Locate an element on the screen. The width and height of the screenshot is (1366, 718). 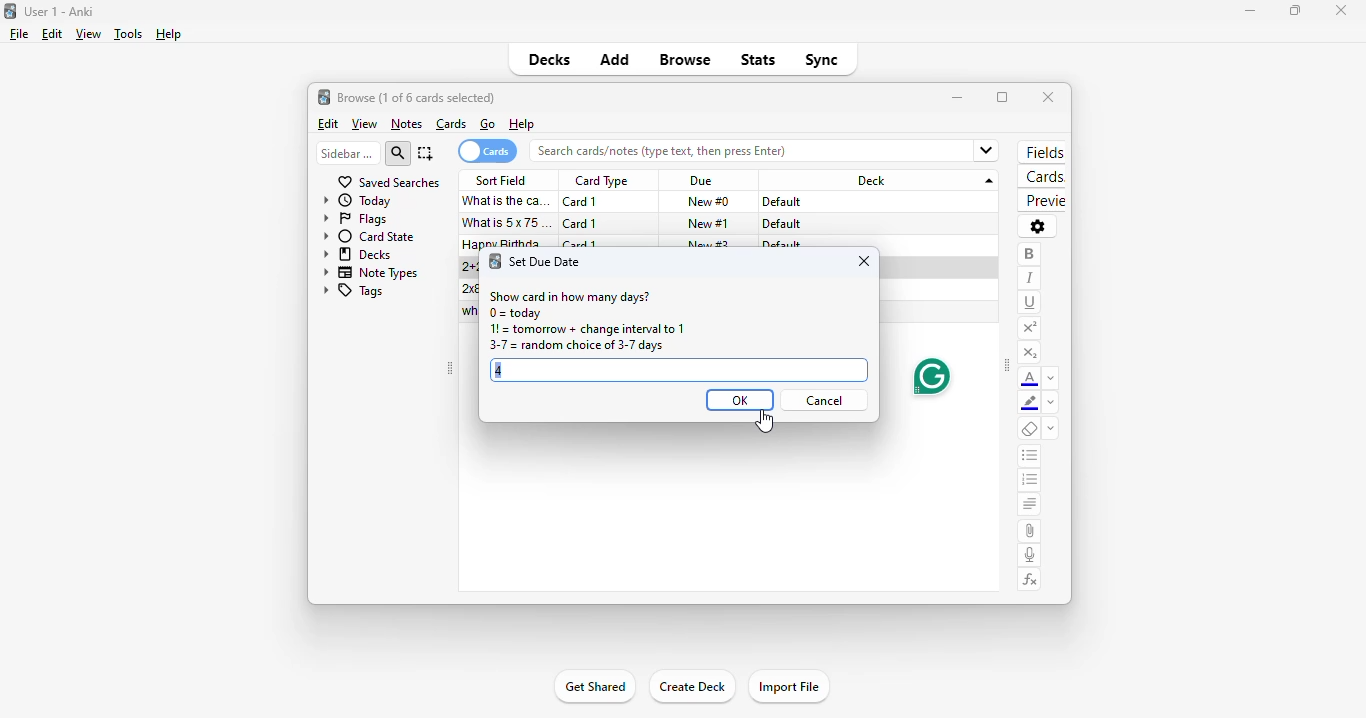
italic is located at coordinates (1029, 278).